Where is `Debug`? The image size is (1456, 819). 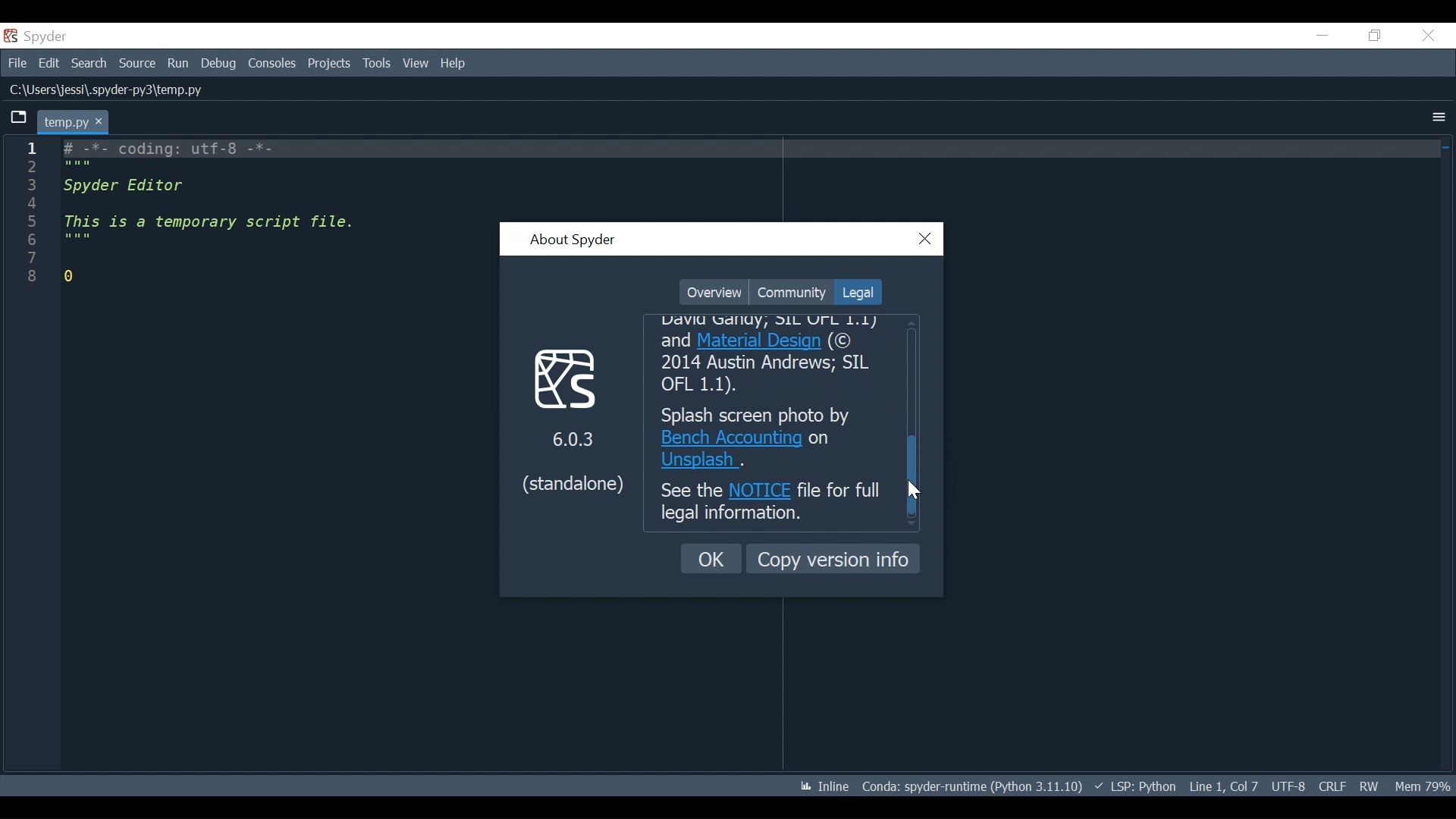
Debug is located at coordinates (220, 64).